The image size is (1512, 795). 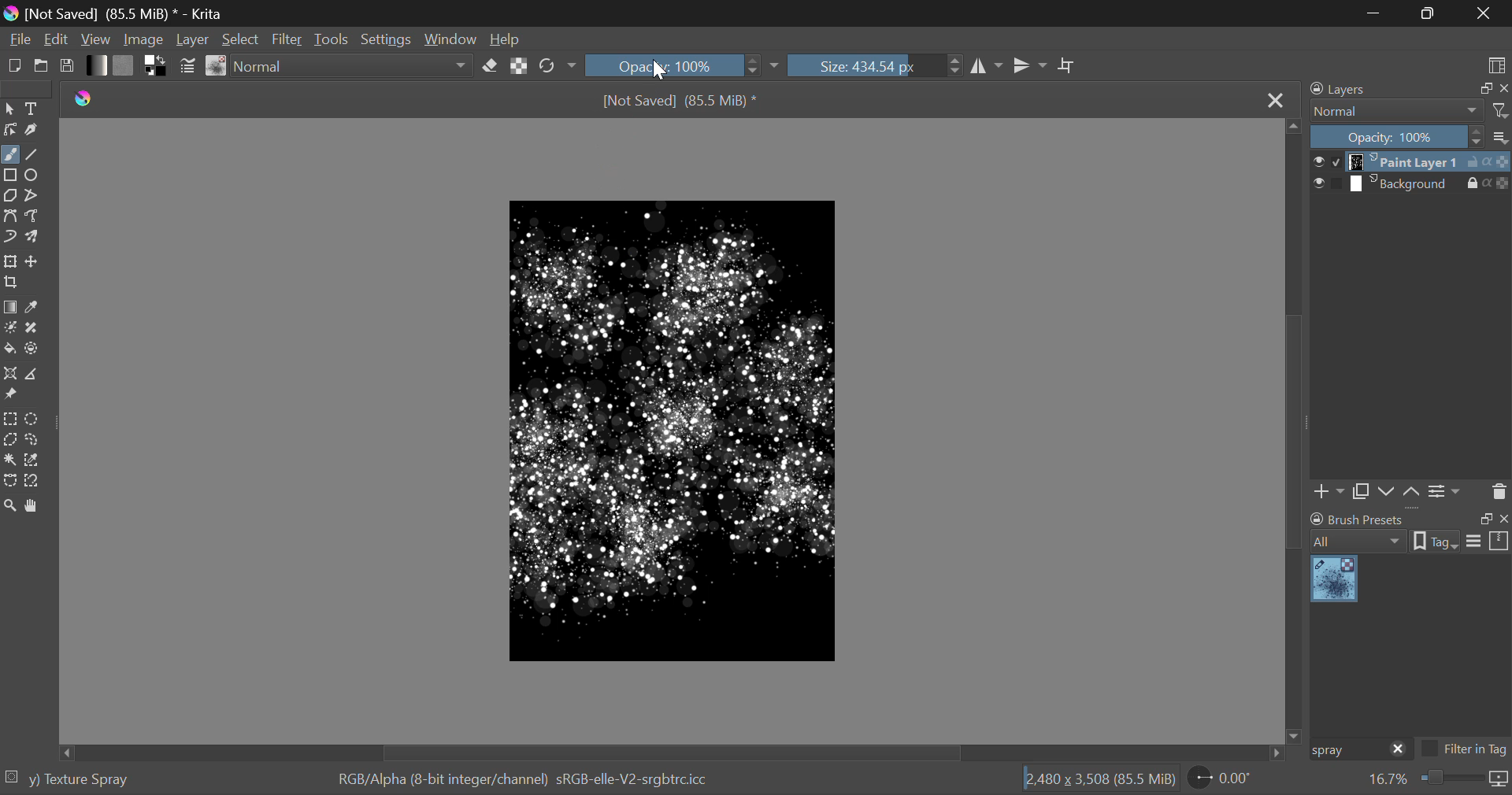 I want to click on Layer Movement down, so click(x=1388, y=493).